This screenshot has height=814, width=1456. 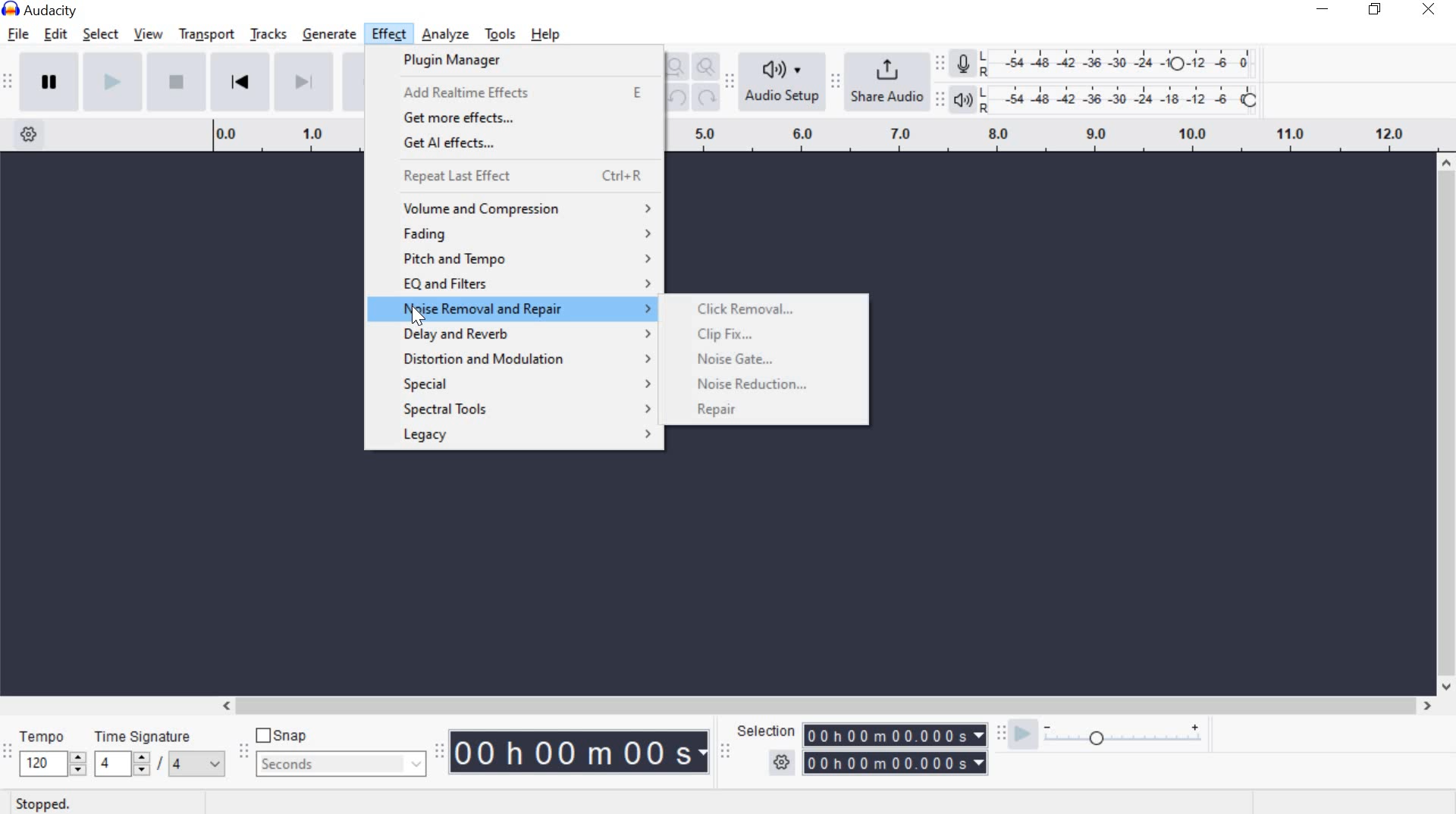 What do you see at coordinates (523, 359) in the screenshot?
I see `distortion and modulation` at bounding box center [523, 359].